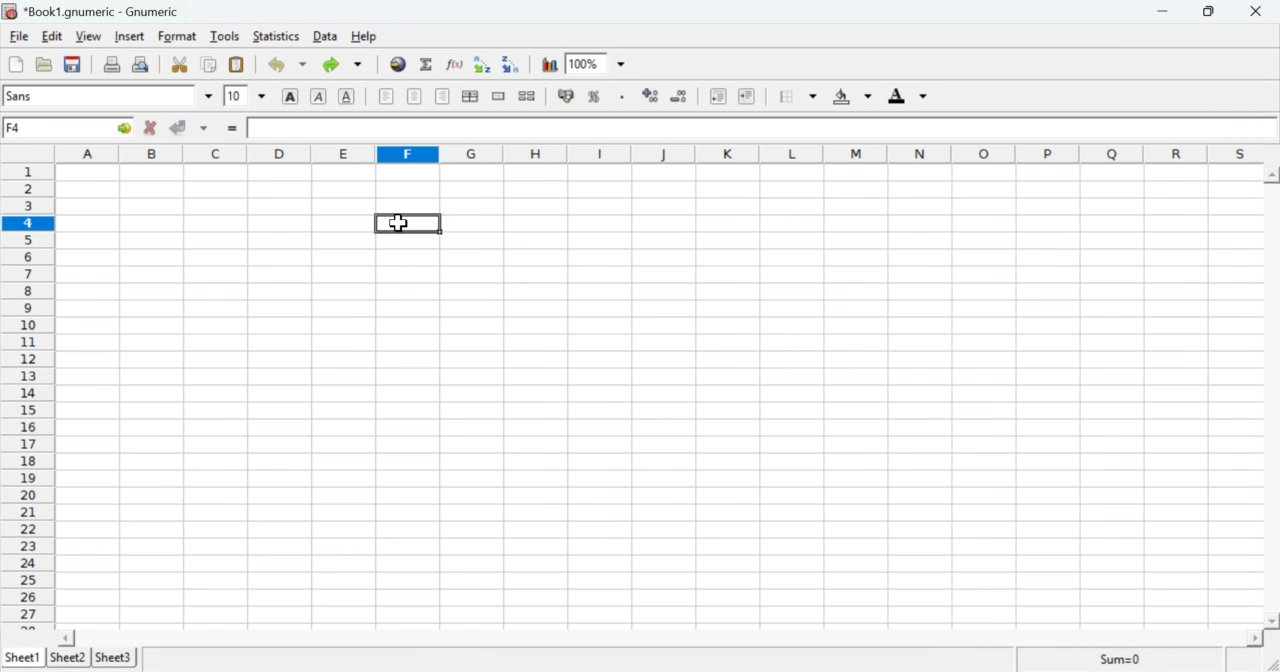 This screenshot has width=1280, height=672. What do you see at coordinates (386, 97) in the screenshot?
I see `Align left` at bounding box center [386, 97].